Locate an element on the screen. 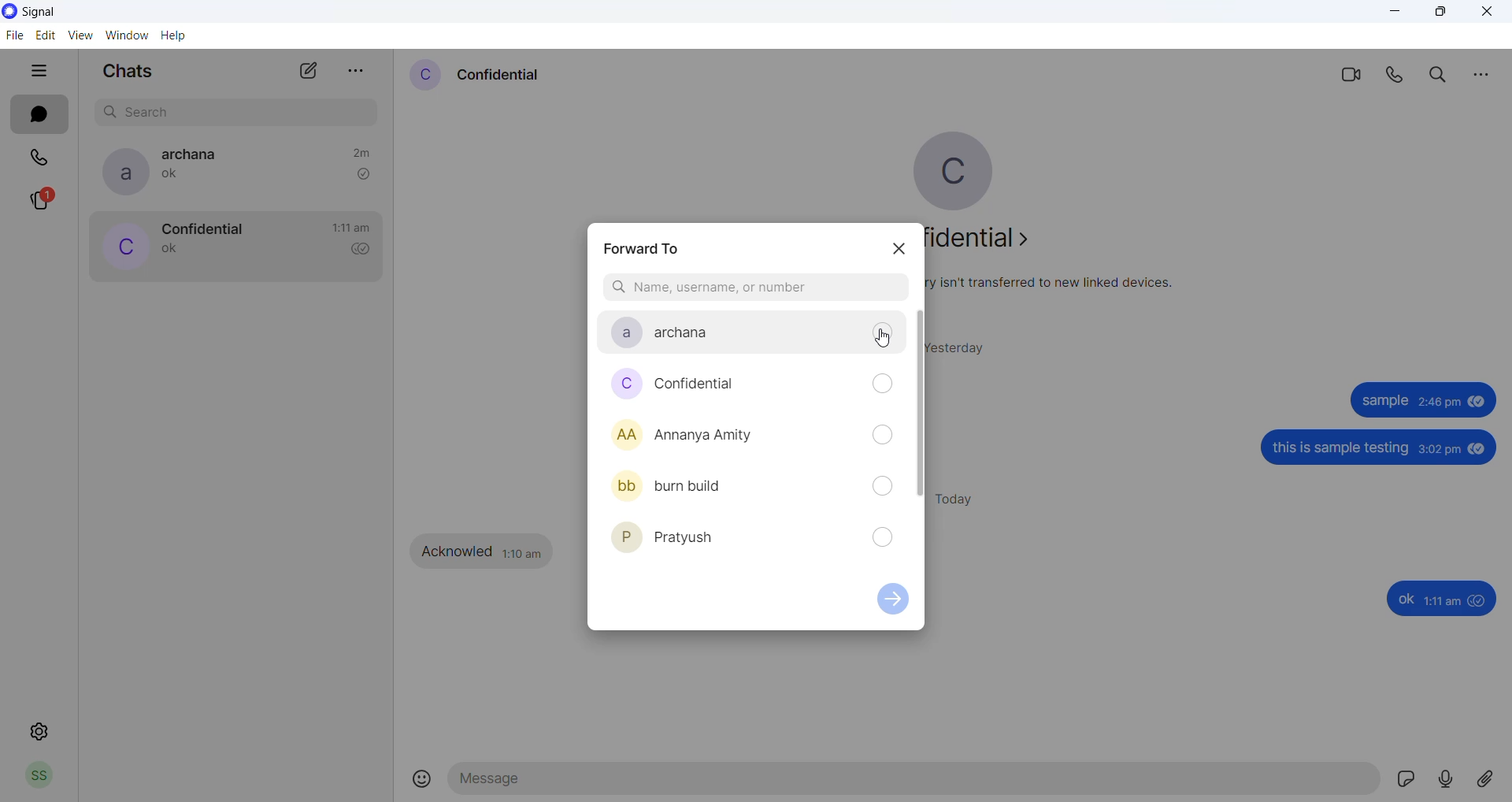 The image size is (1512, 802). profile picture is located at coordinates (122, 248).